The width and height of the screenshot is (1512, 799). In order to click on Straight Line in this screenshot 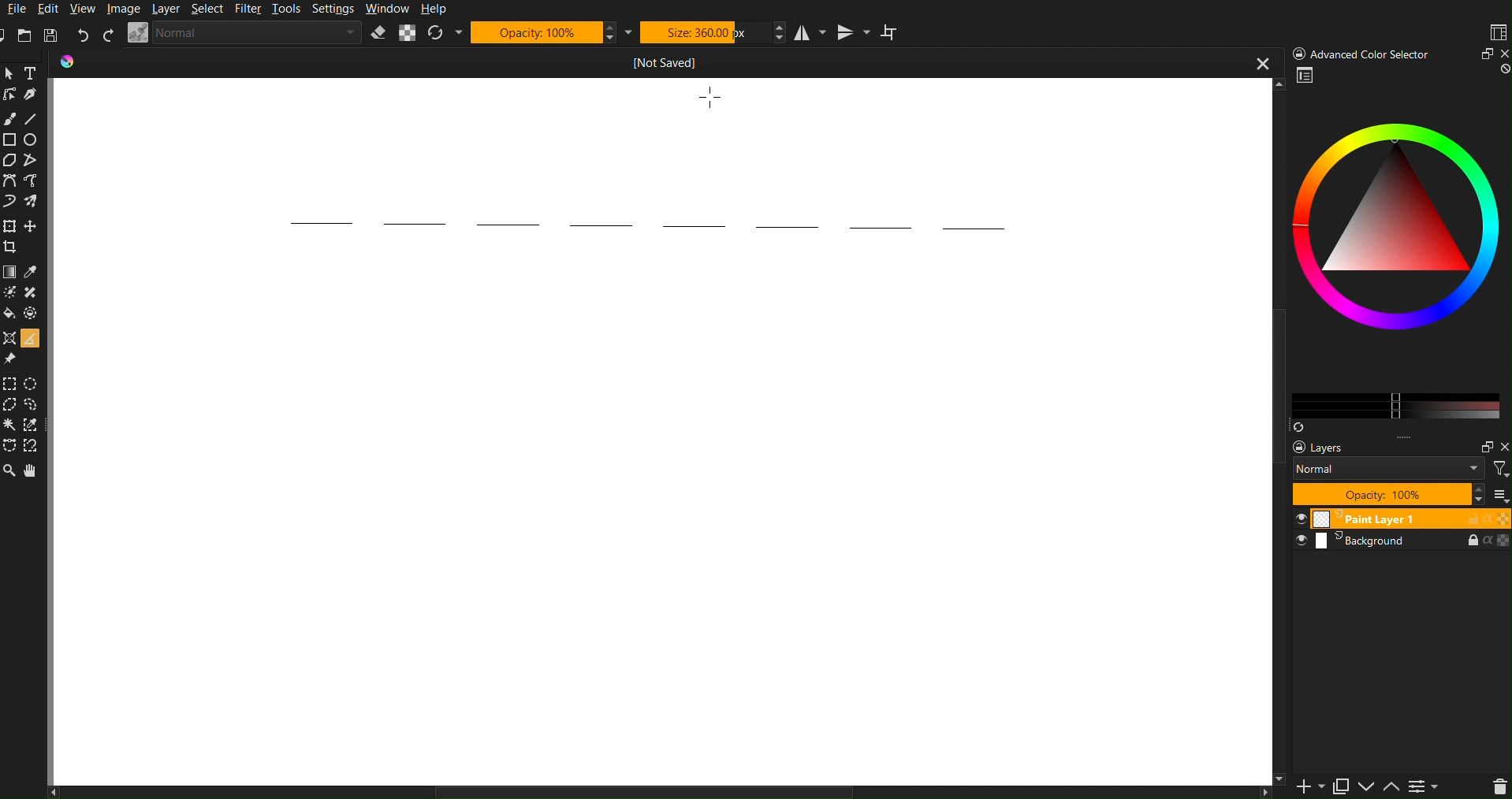, I will do `click(35, 162)`.